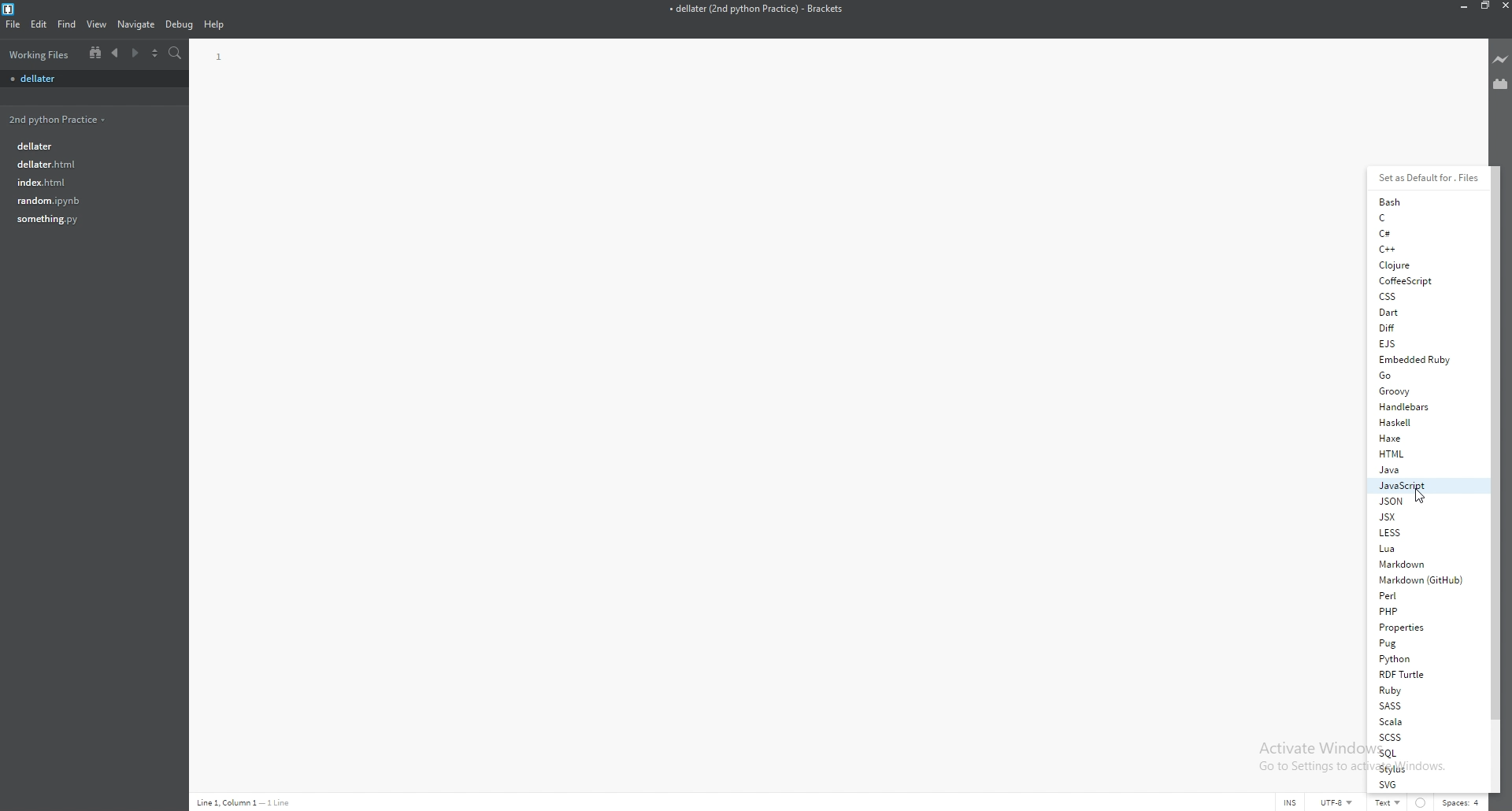 The width and height of the screenshot is (1512, 811). I want to click on help, so click(215, 24).